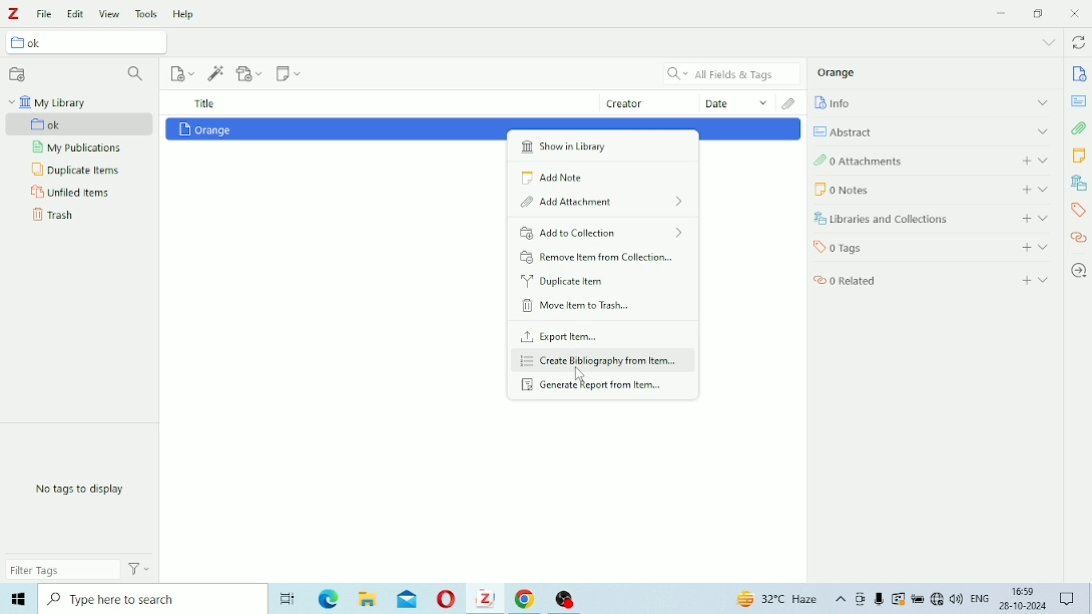 This screenshot has height=614, width=1092. What do you see at coordinates (485, 598) in the screenshot?
I see `Zotero` at bounding box center [485, 598].